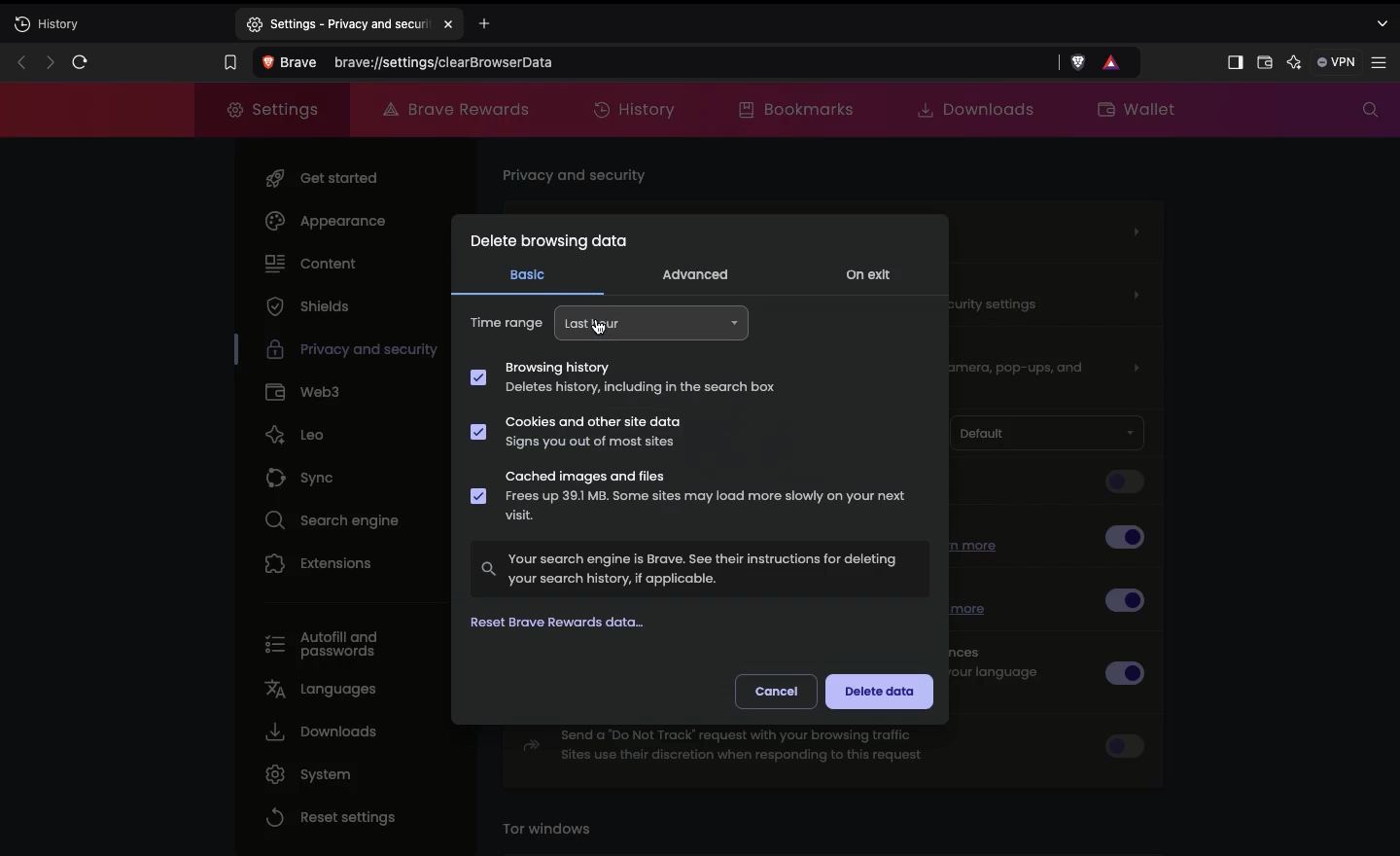 This screenshot has width=1400, height=856. What do you see at coordinates (692, 499) in the screenshot?
I see `Cached images and files
Frees up 39.1 MB. Some sites may load more slowly on your next
visit.` at bounding box center [692, 499].